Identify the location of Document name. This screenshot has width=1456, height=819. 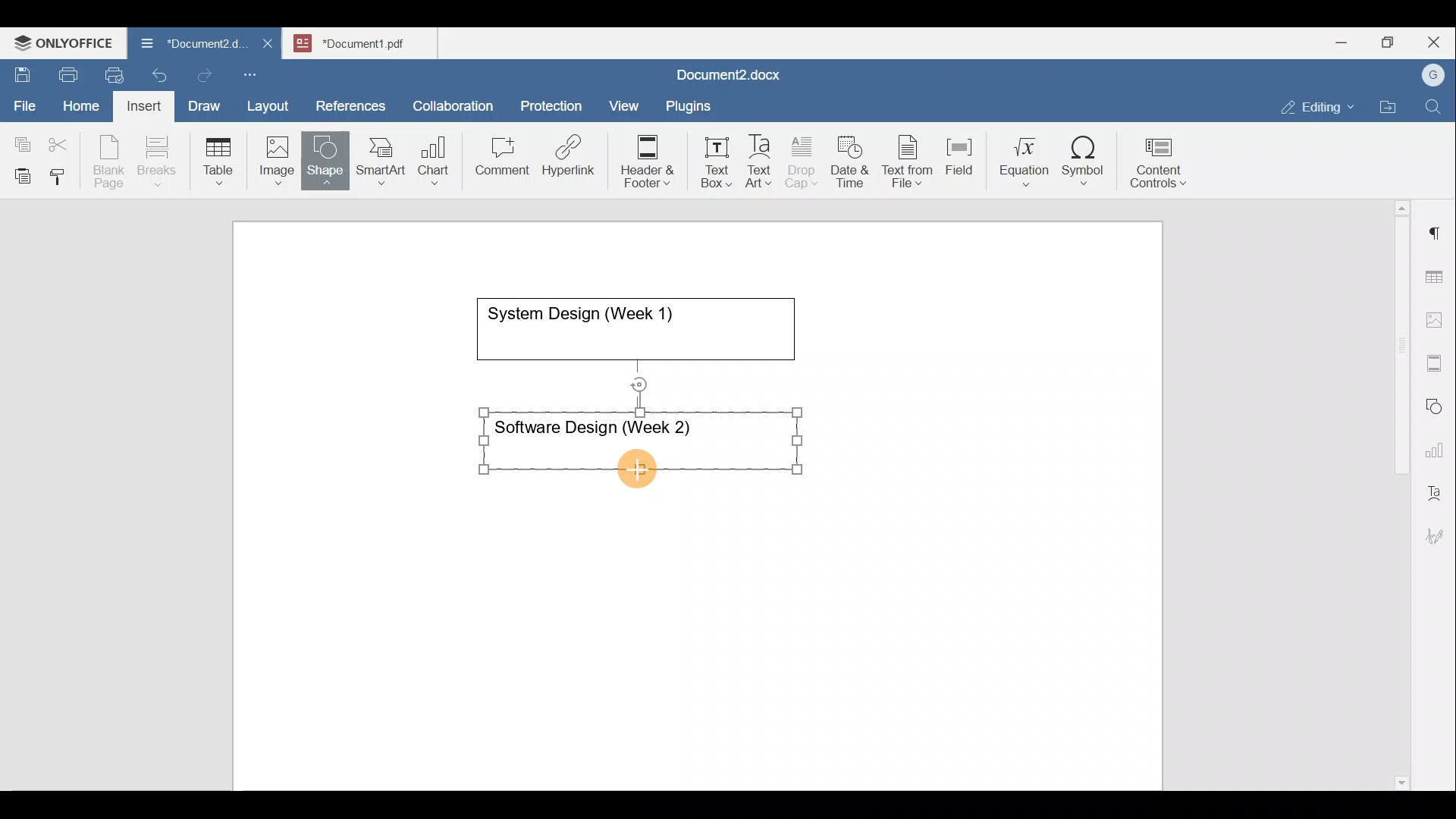
(725, 77).